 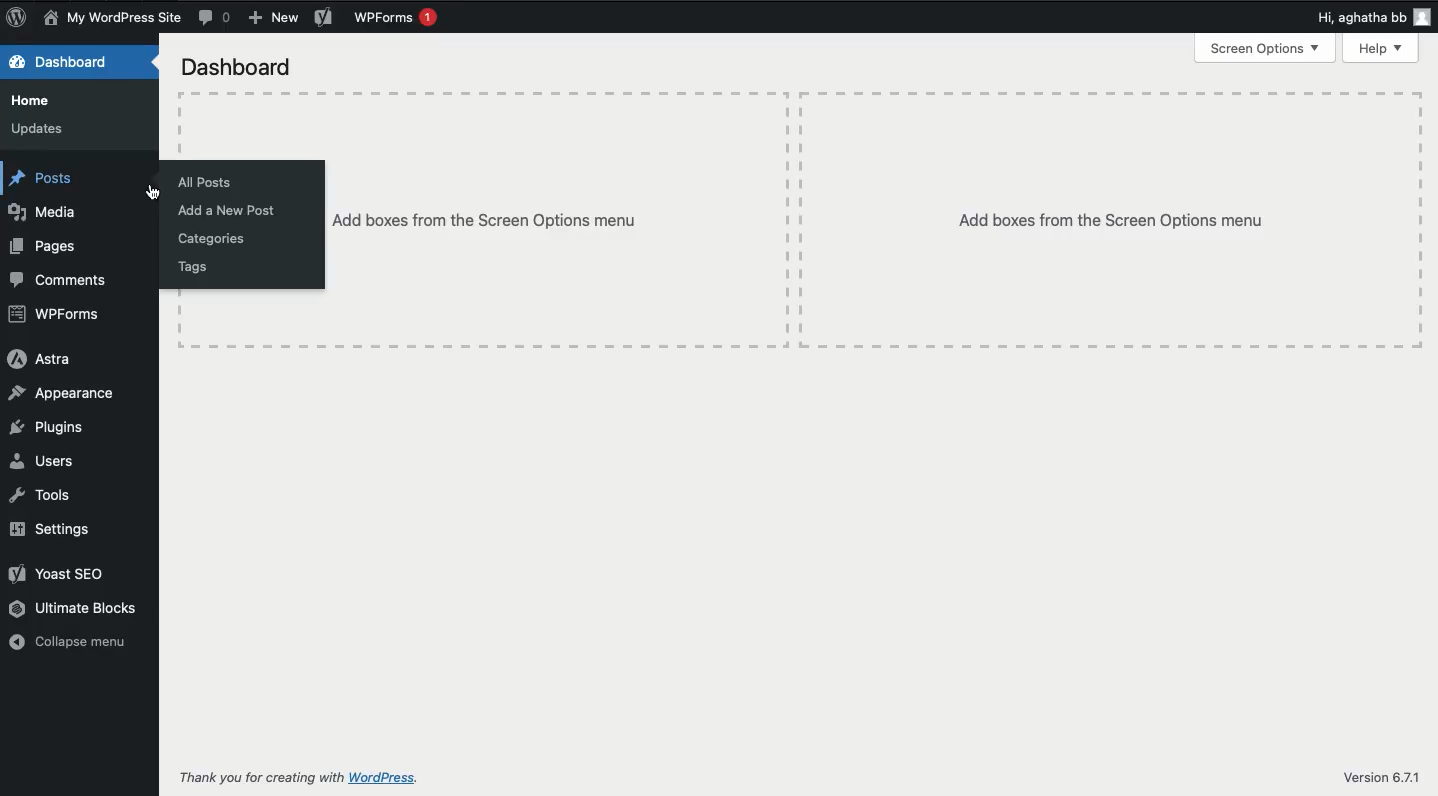 What do you see at coordinates (31, 99) in the screenshot?
I see `Home` at bounding box center [31, 99].